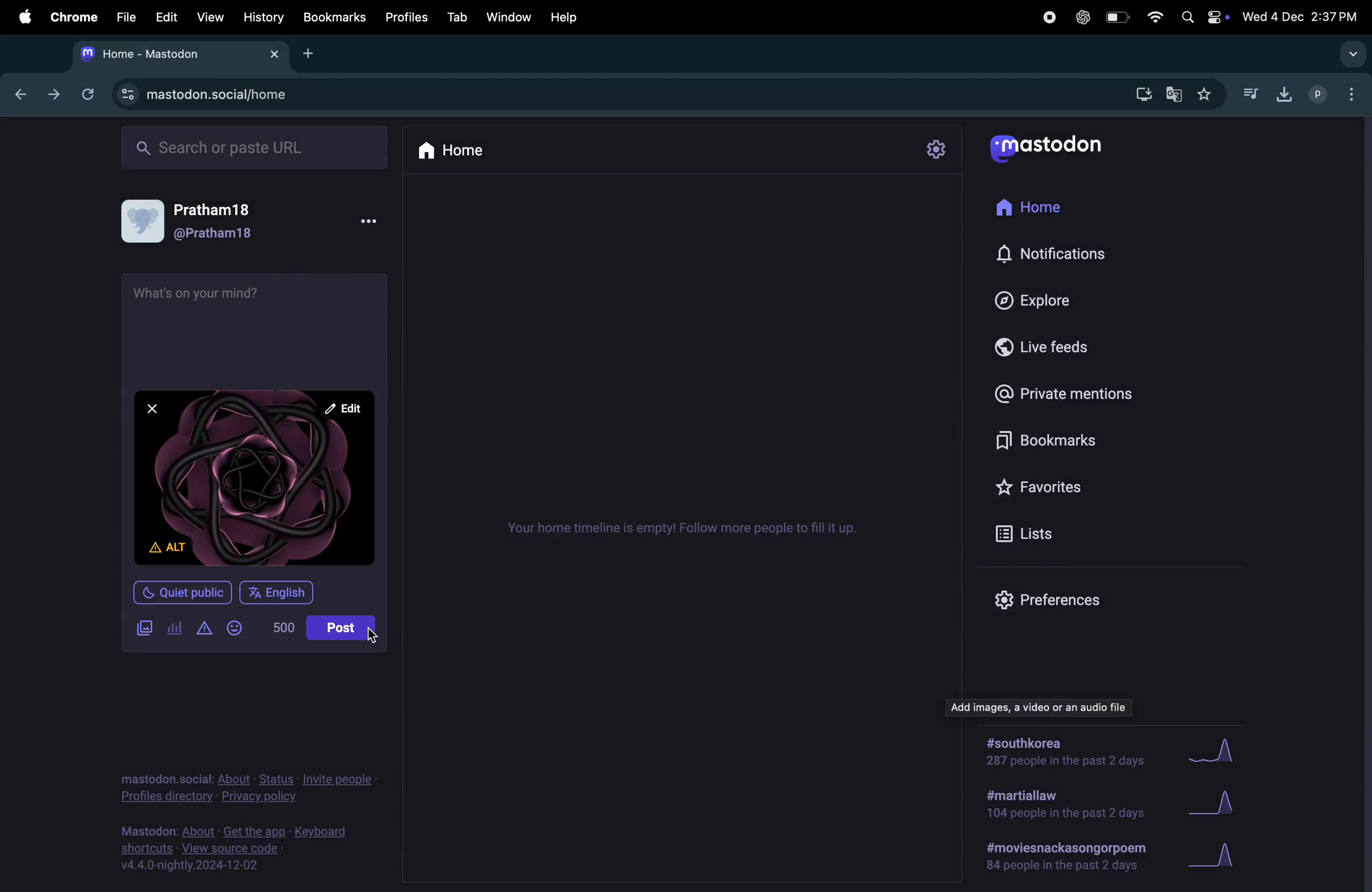 The width and height of the screenshot is (1372, 892). I want to click on post, so click(344, 629).